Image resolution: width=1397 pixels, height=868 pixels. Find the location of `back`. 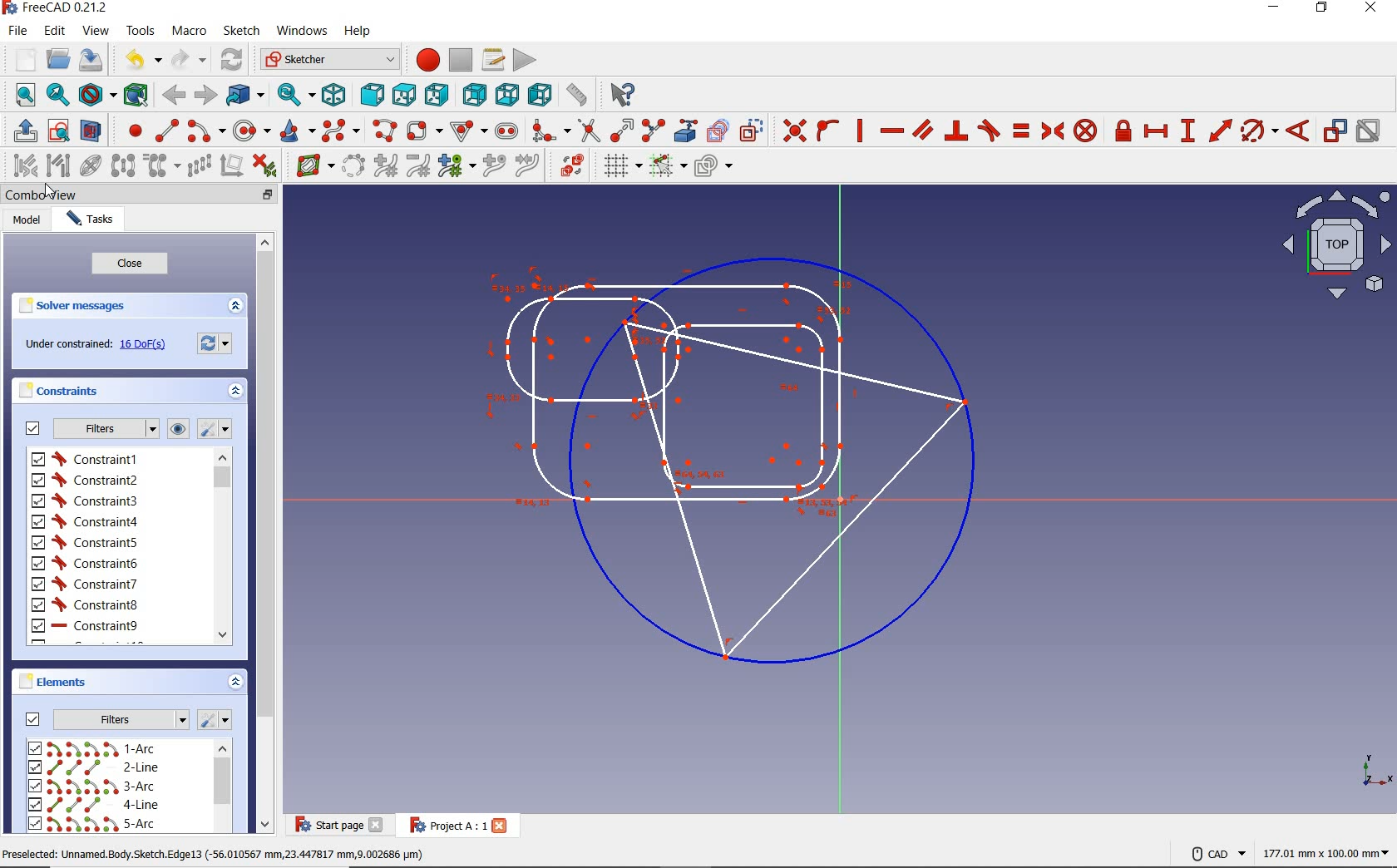

back is located at coordinates (173, 94).